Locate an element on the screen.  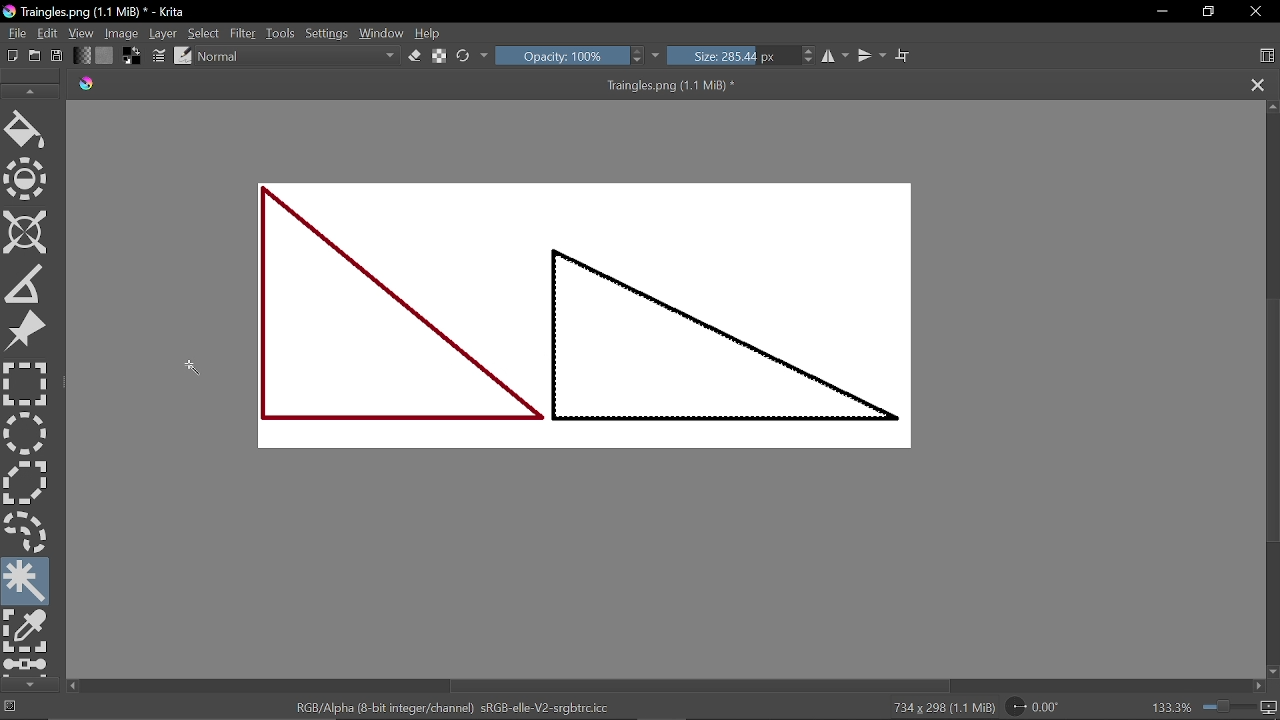
Filter is located at coordinates (242, 32).